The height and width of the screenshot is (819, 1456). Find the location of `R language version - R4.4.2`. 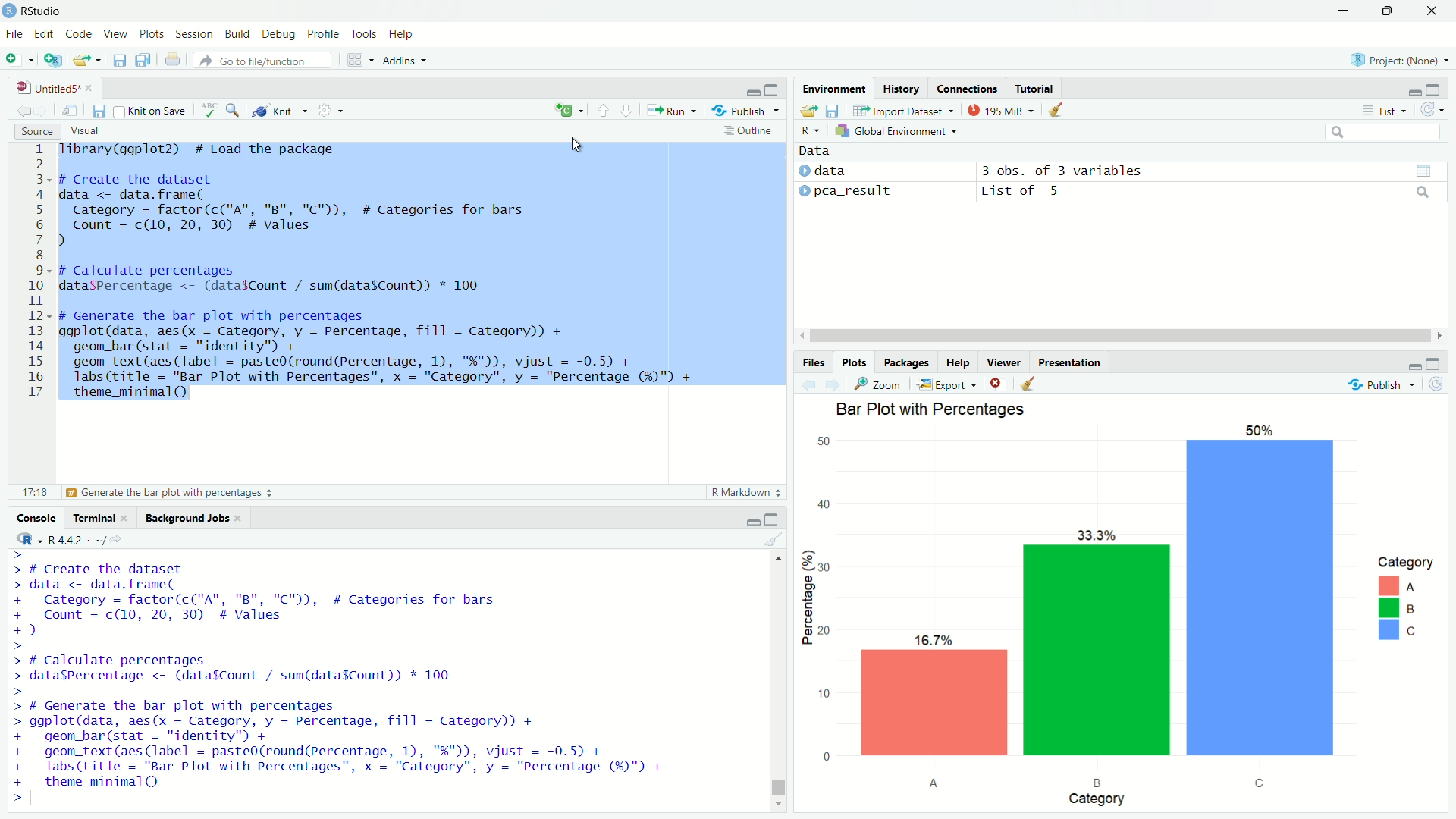

R language version - R4.4.2 is located at coordinates (91, 540).